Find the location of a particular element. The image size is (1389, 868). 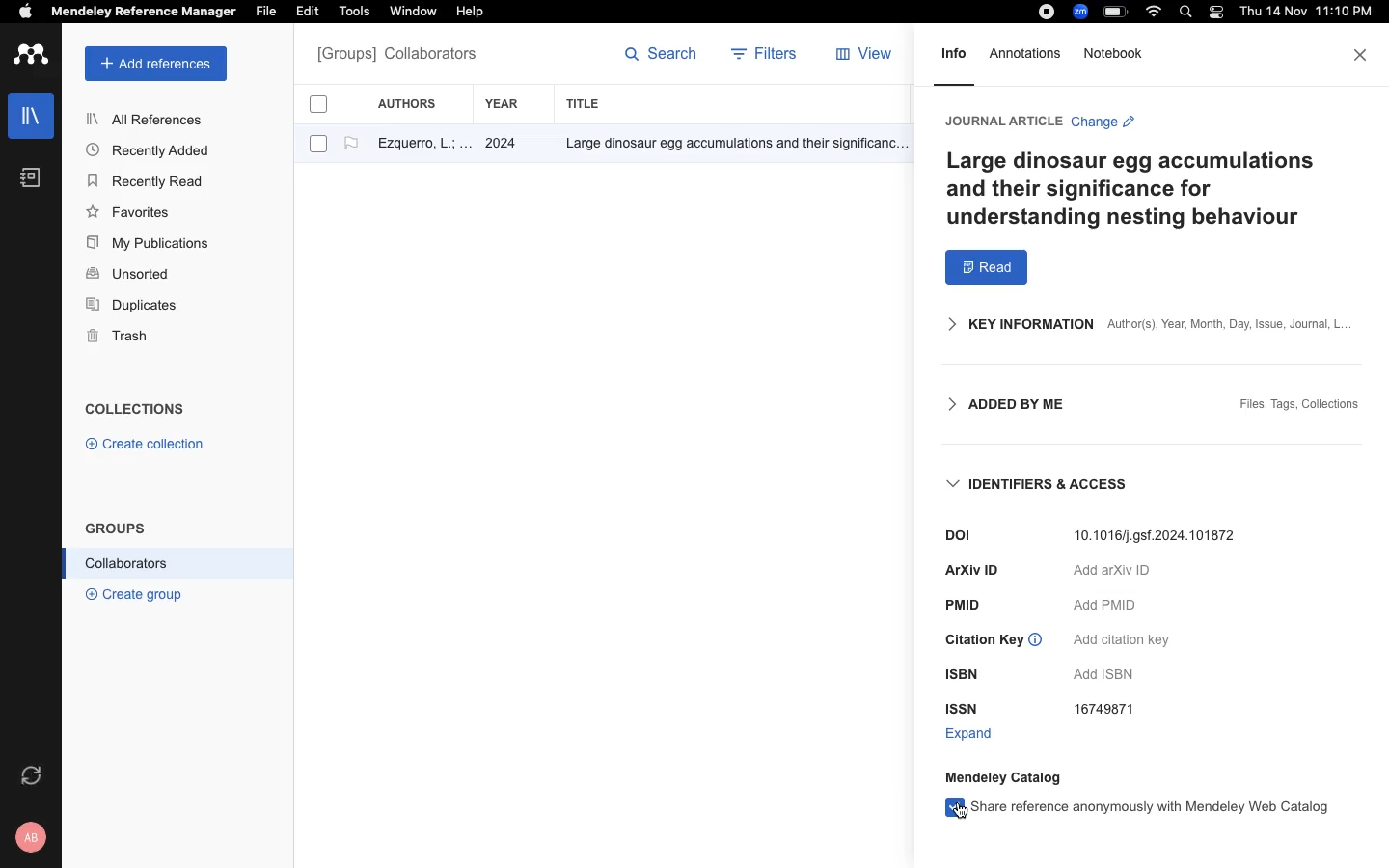

Help is located at coordinates (468, 13).